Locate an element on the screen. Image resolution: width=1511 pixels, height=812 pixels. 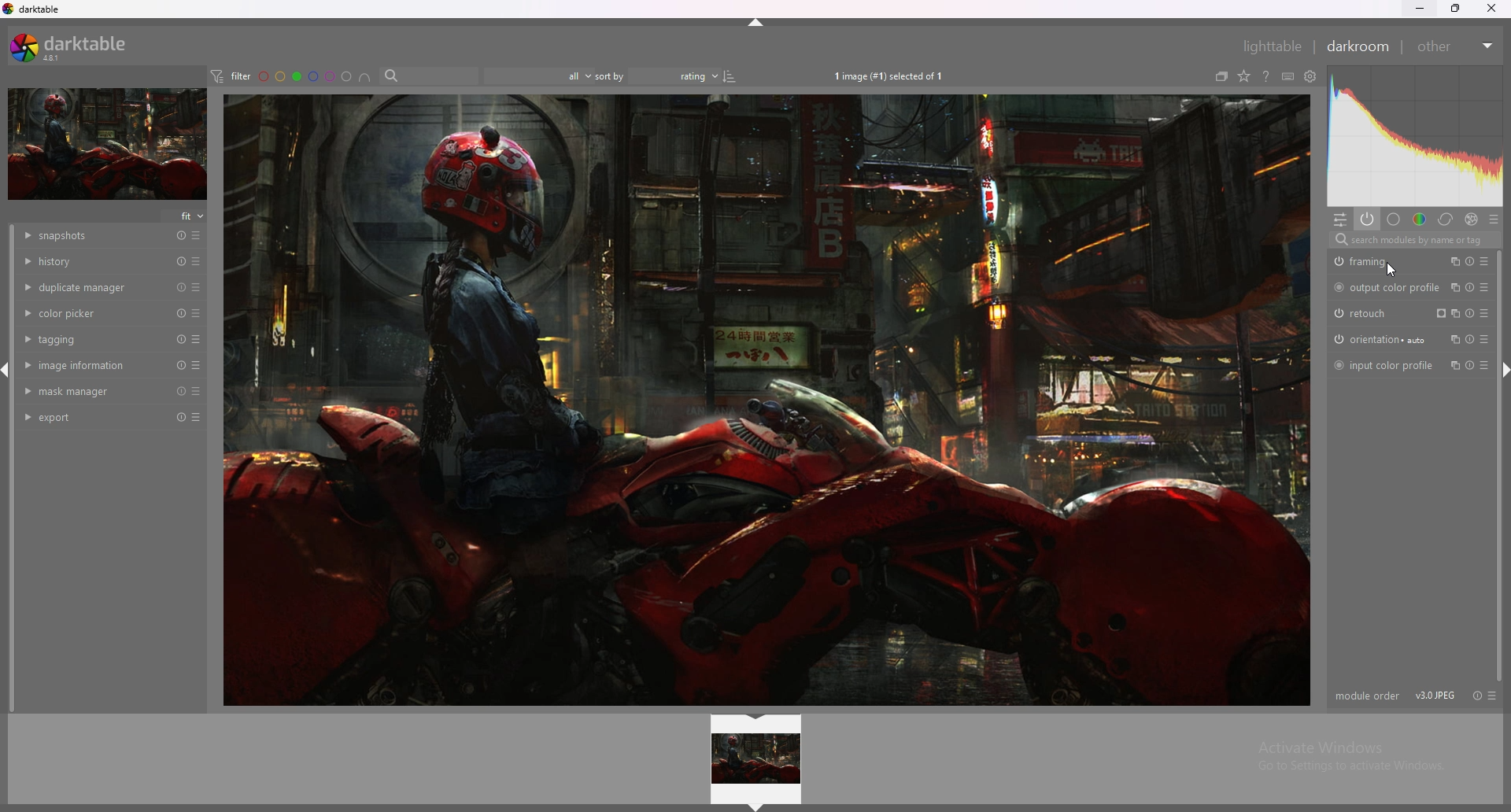
hide is located at coordinates (758, 718).